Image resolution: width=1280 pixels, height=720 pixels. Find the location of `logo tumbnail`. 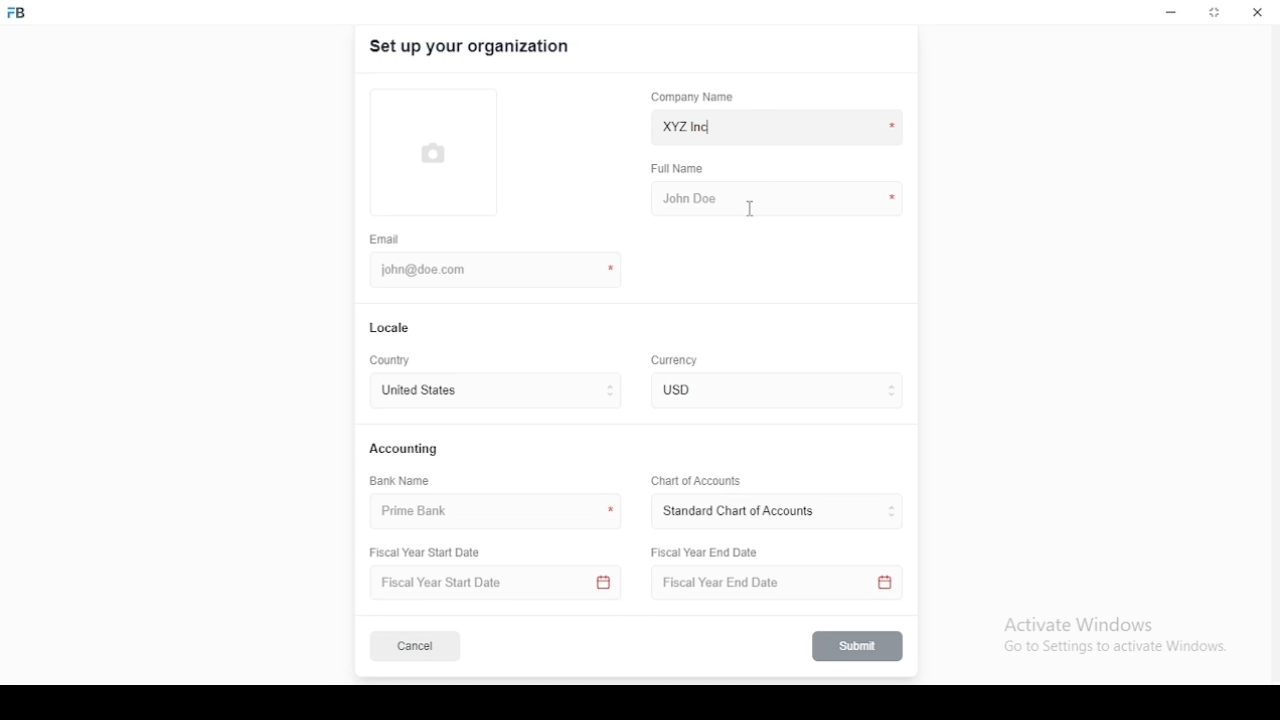

logo tumbnail is located at coordinates (439, 153).